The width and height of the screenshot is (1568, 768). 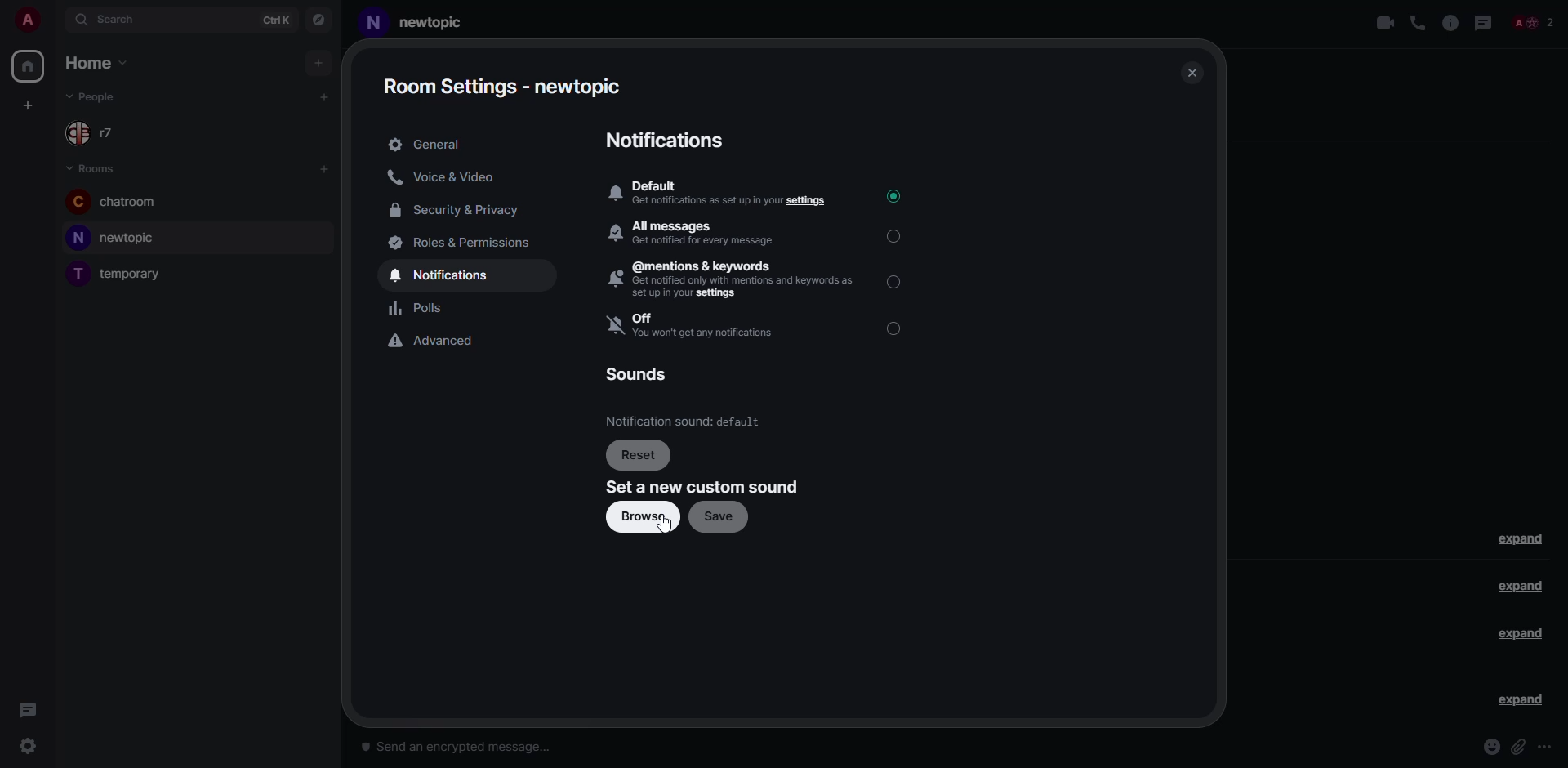 What do you see at coordinates (276, 22) in the screenshot?
I see `ctrlK` at bounding box center [276, 22].